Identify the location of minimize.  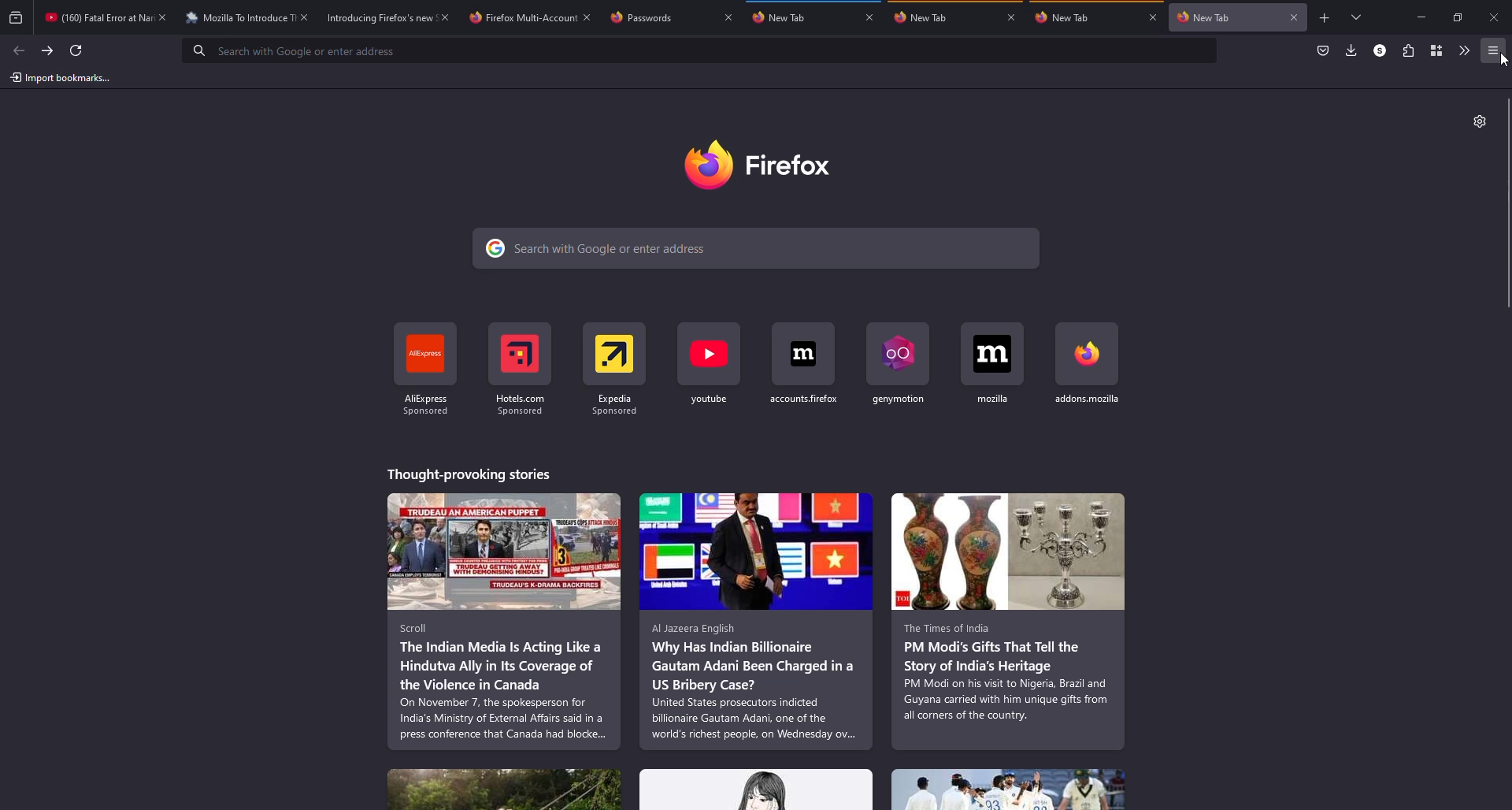
(1418, 17).